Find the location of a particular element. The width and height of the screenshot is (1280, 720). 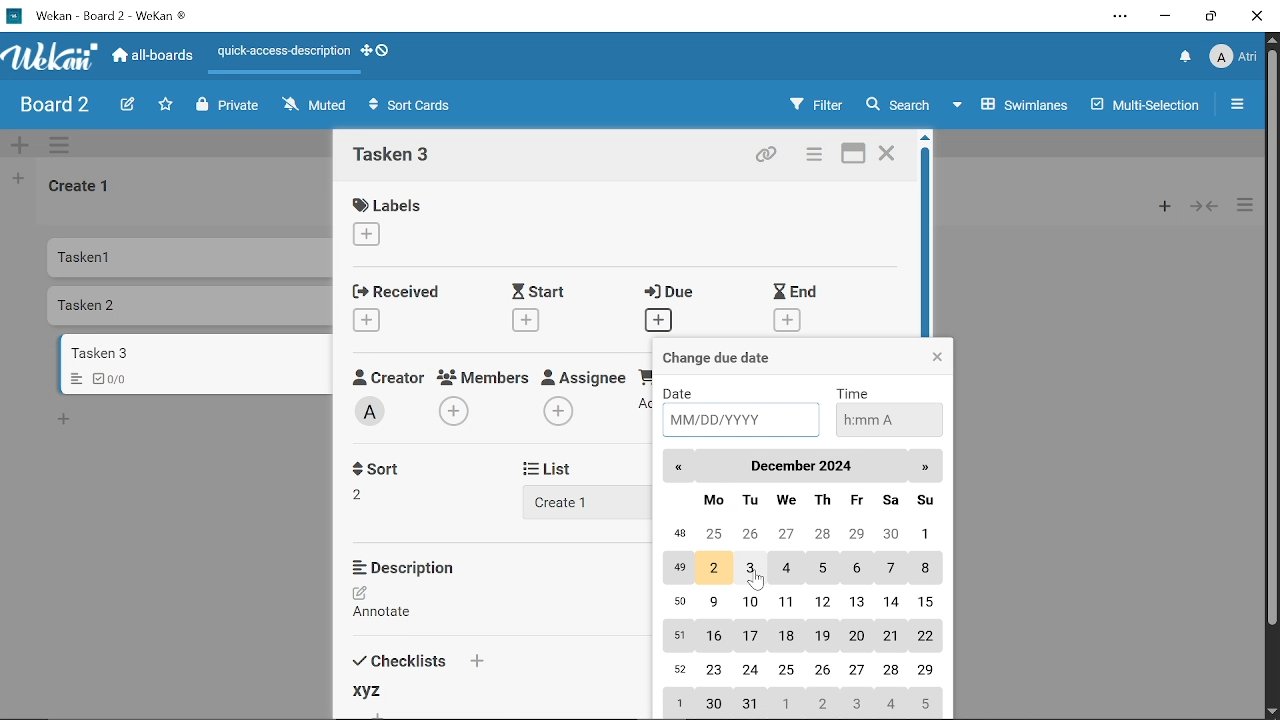

Add description is located at coordinates (392, 605).